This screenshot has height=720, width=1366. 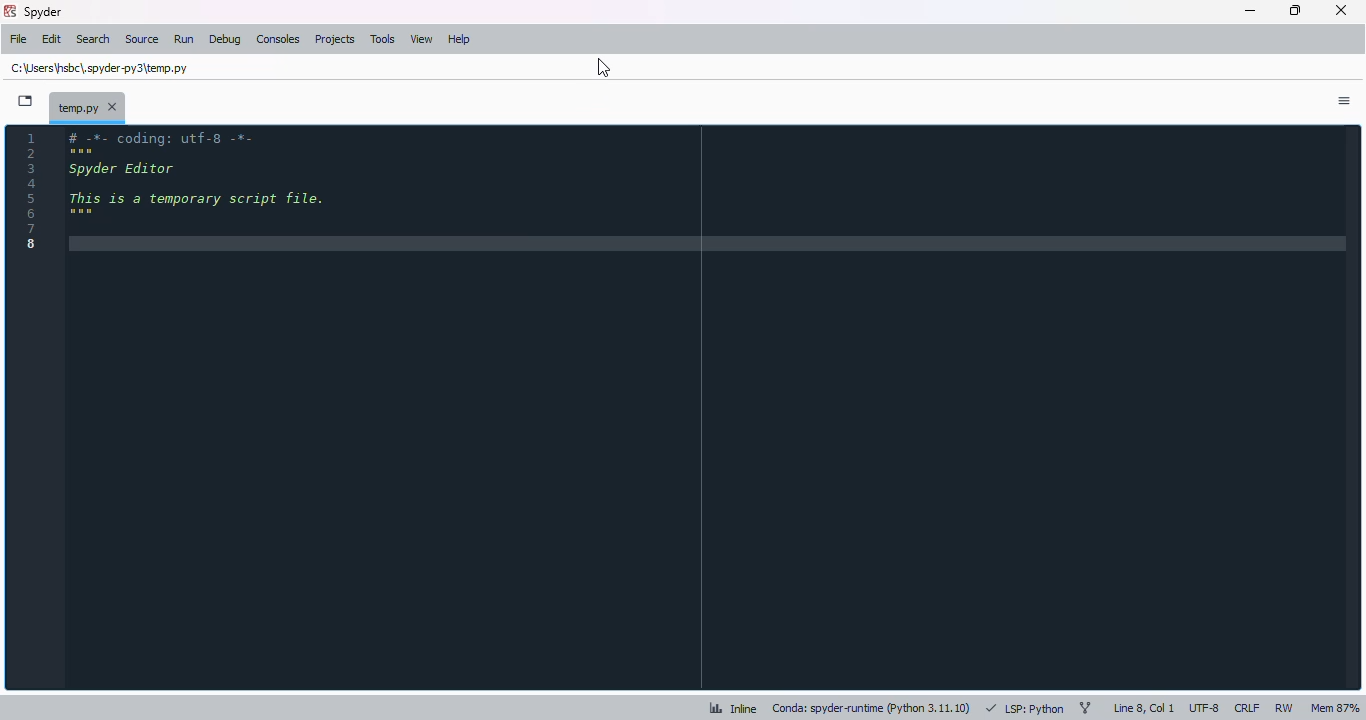 What do you see at coordinates (1345, 101) in the screenshot?
I see `options` at bounding box center [1345, 101].